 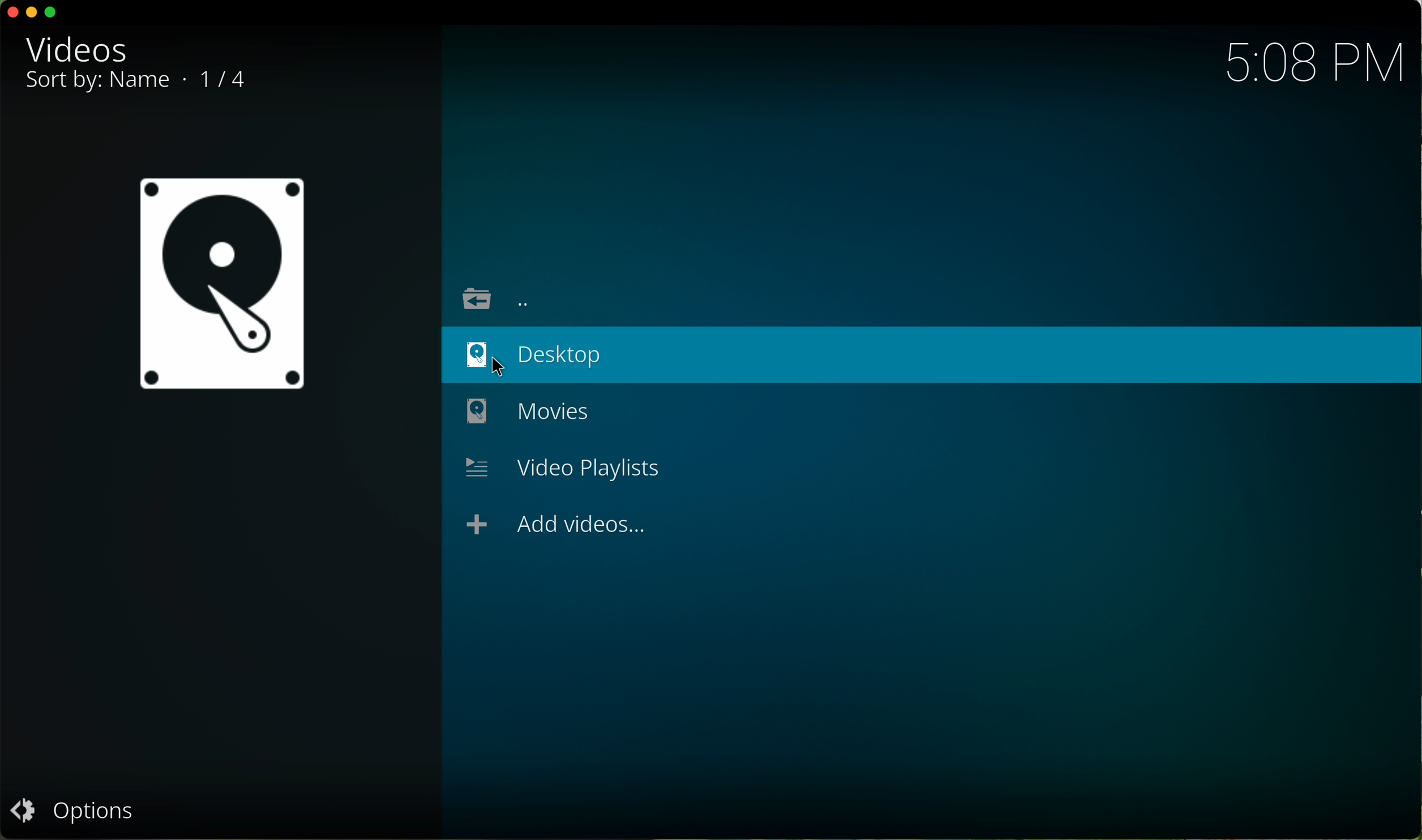 I want to click on minimize, so click(x=35, y=14).